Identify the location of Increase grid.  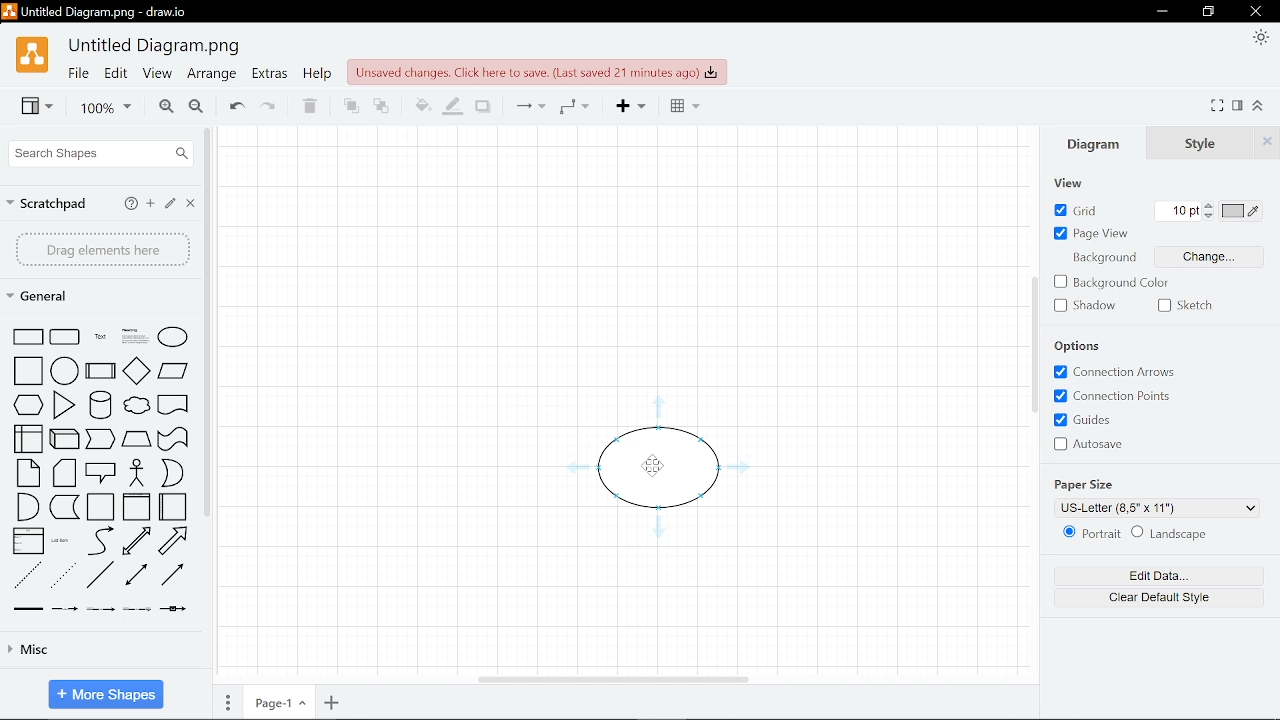
(1211, 207).